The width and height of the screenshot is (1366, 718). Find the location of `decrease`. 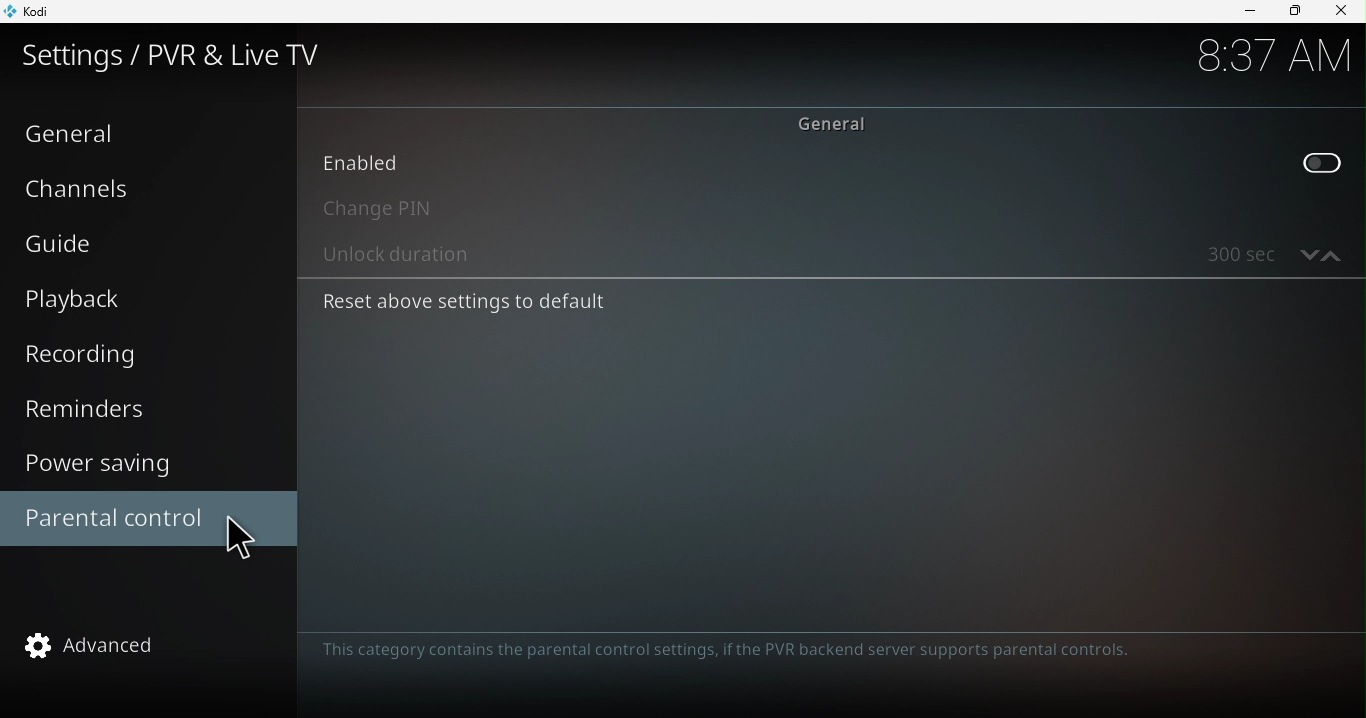

decrease is located at coordinates (1306, 253).